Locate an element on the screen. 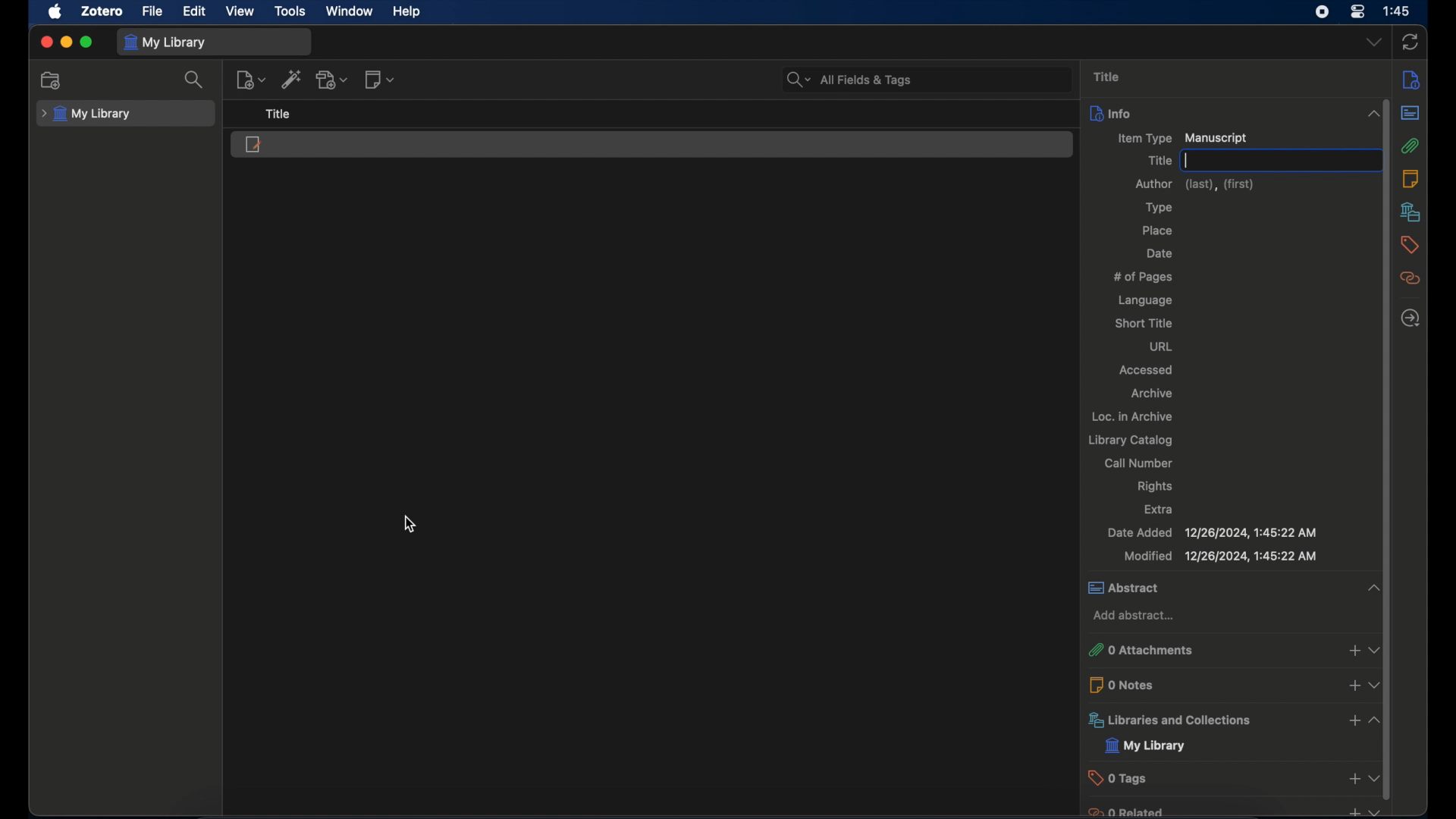 The height and width of the screenshot is (819, 1456). locate is located at coordinates (1410, 318).